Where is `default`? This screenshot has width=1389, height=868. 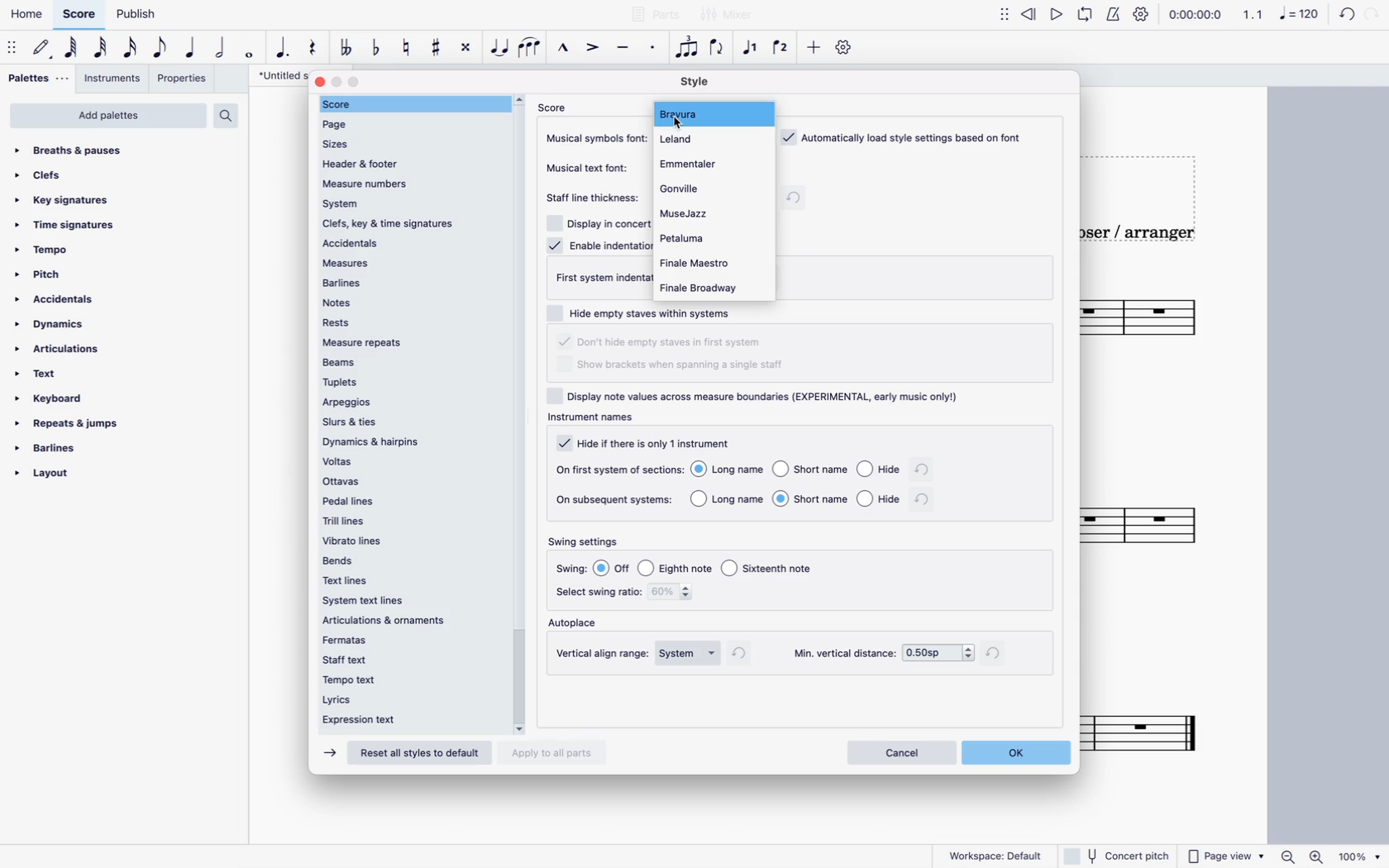 default is located at coordinates (41, 46).